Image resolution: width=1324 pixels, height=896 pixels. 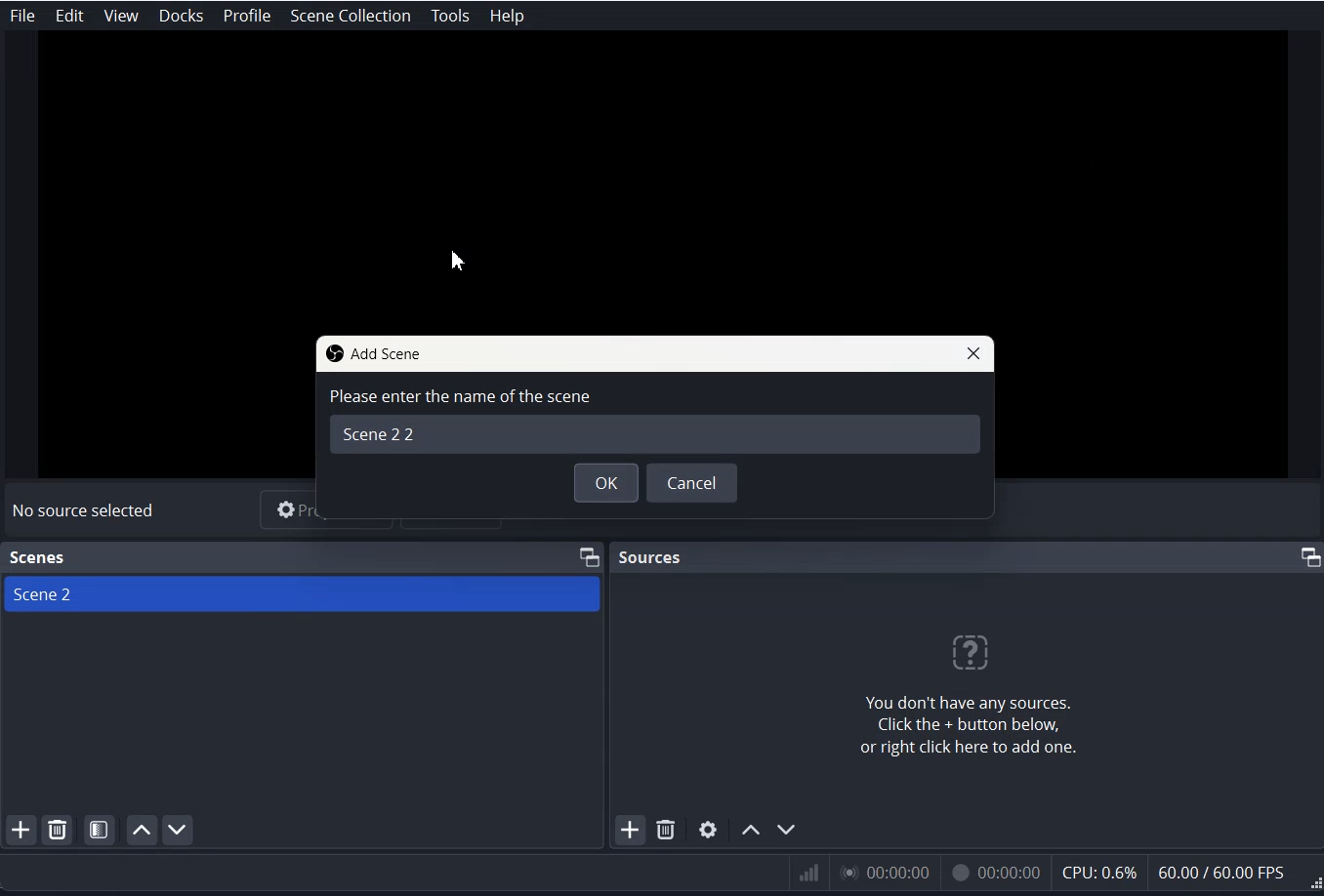 What do you see at coordinates (100, 830) in the screenshot?
I see `Open Scene Filter` at bounding box center [100, 830].